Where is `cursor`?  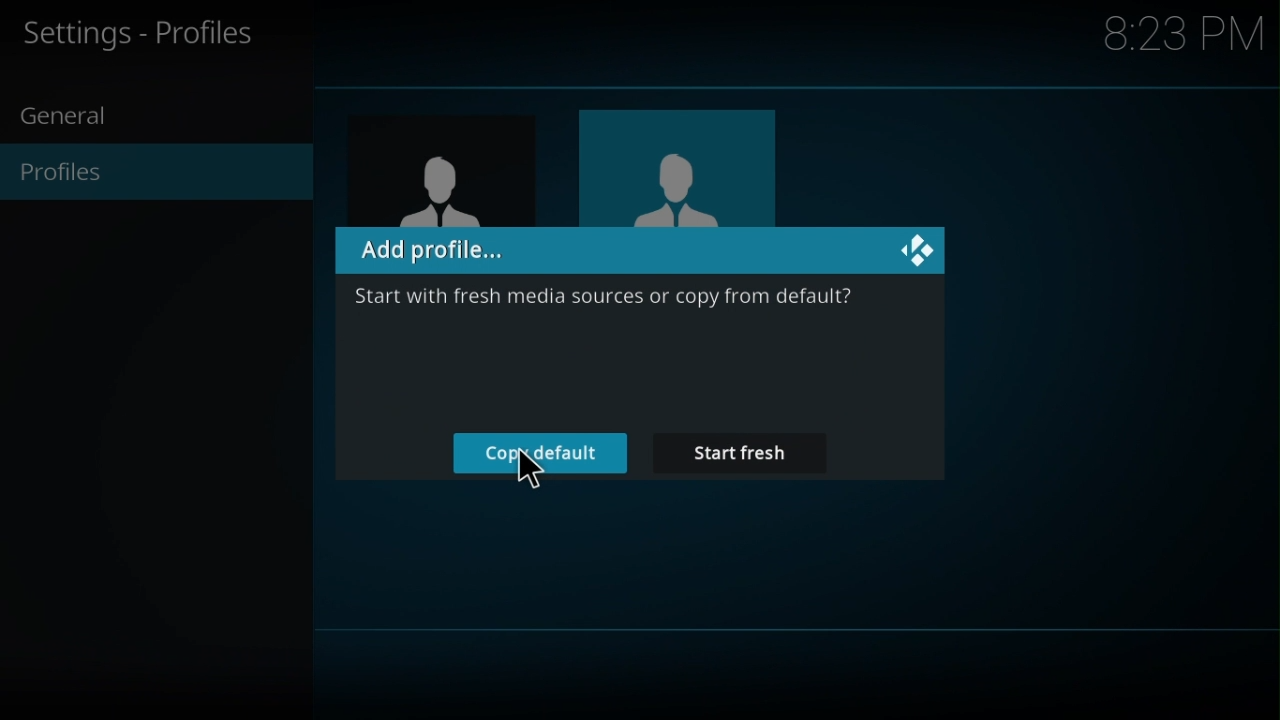 cursor is located at coordinates (531, 473).